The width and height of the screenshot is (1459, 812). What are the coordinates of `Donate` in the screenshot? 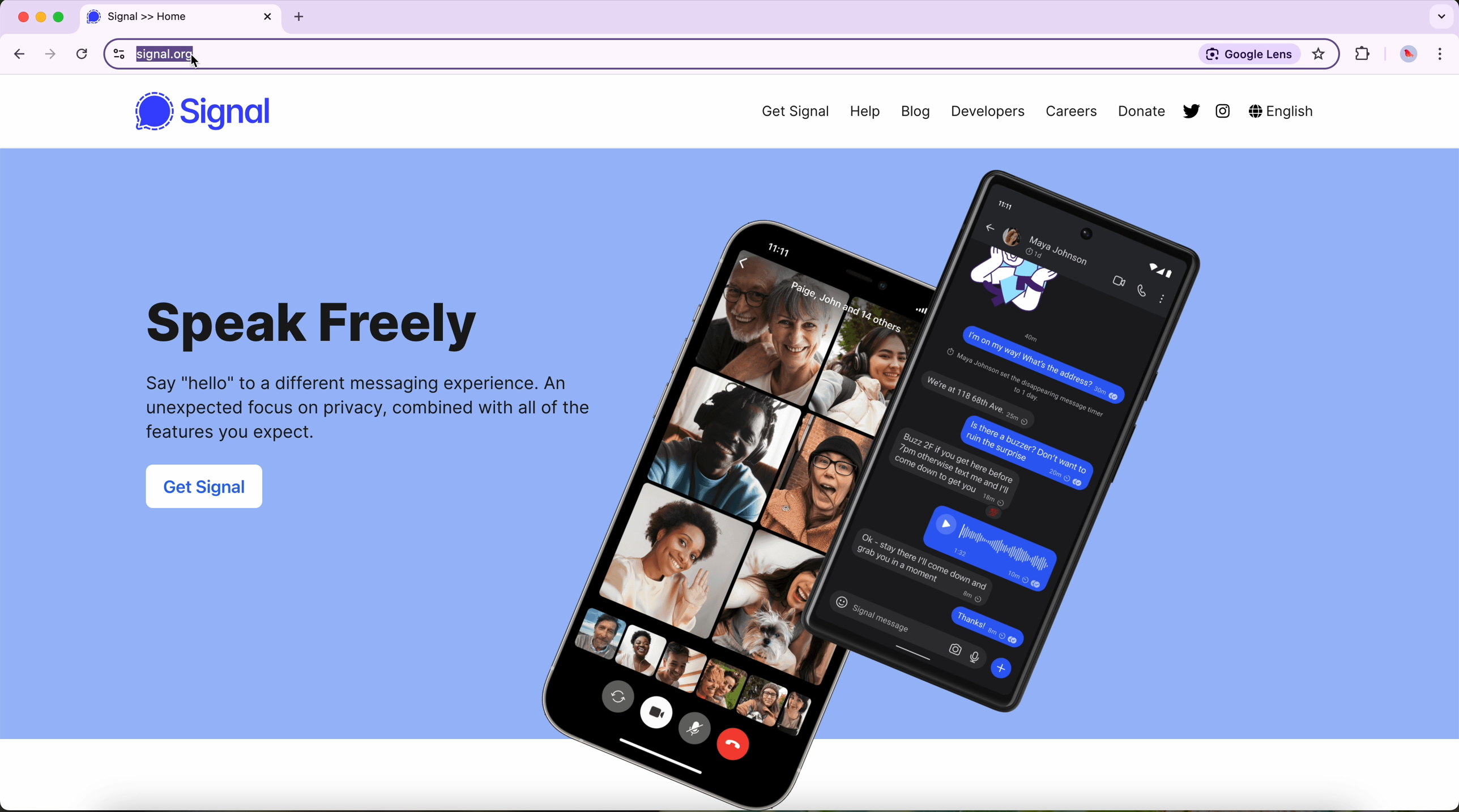 It's located at (1134, 113).